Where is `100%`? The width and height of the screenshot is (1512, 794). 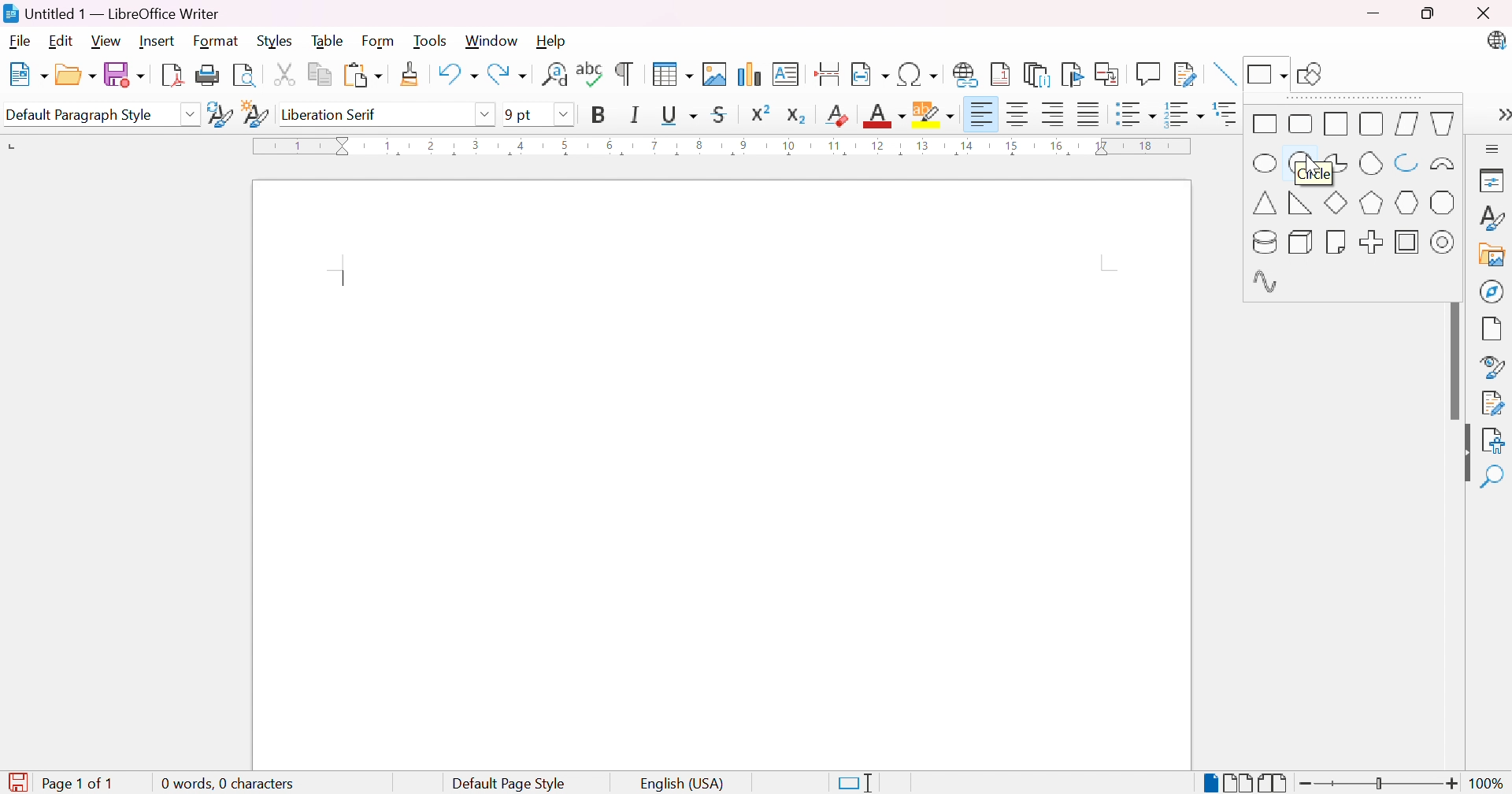
100% is located at coordinates (1489, 785).